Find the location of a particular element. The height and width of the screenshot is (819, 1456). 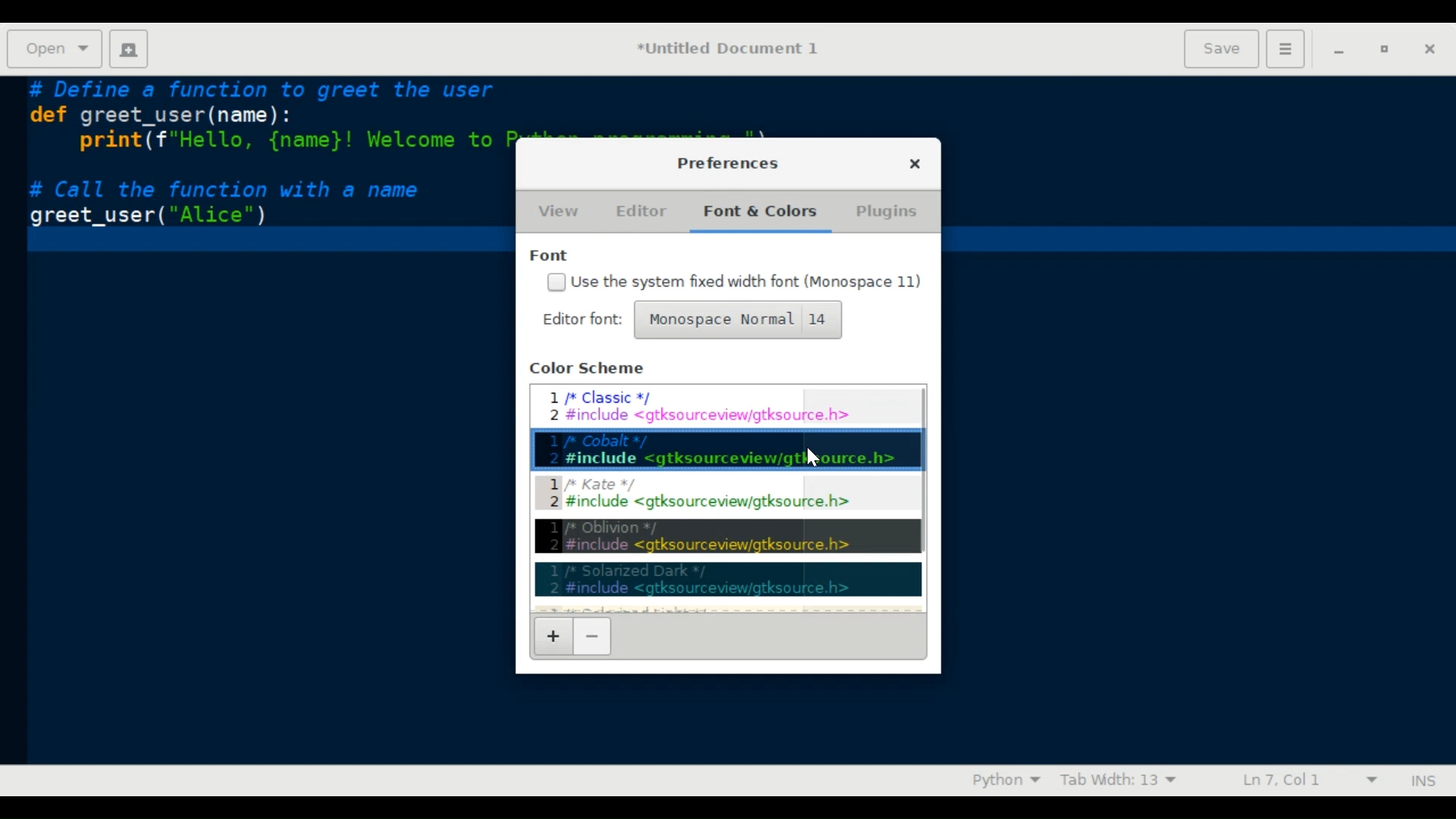

Document name is located at coordinates (732, 49).